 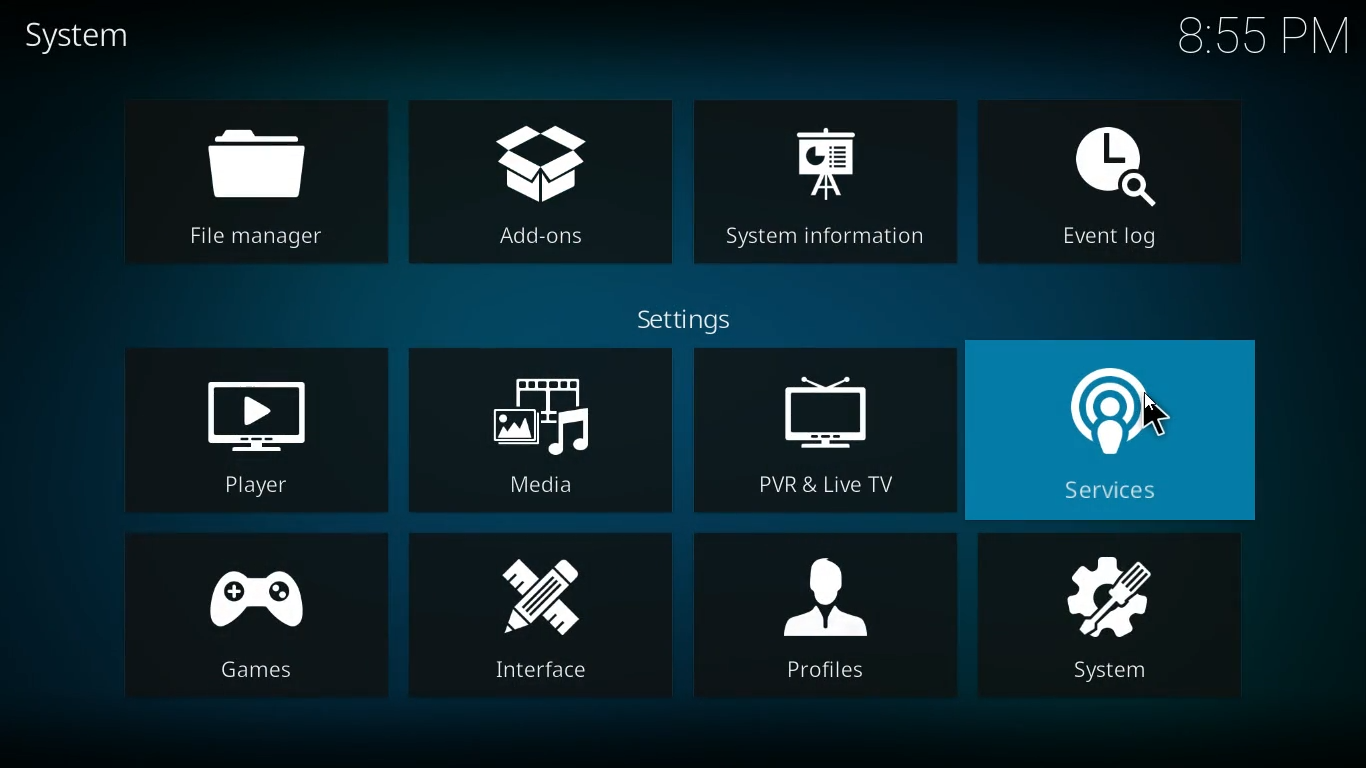 What do you see at coordinates (85, 39) in the screenshot?
I see `system` at bounding box center [85, 39].